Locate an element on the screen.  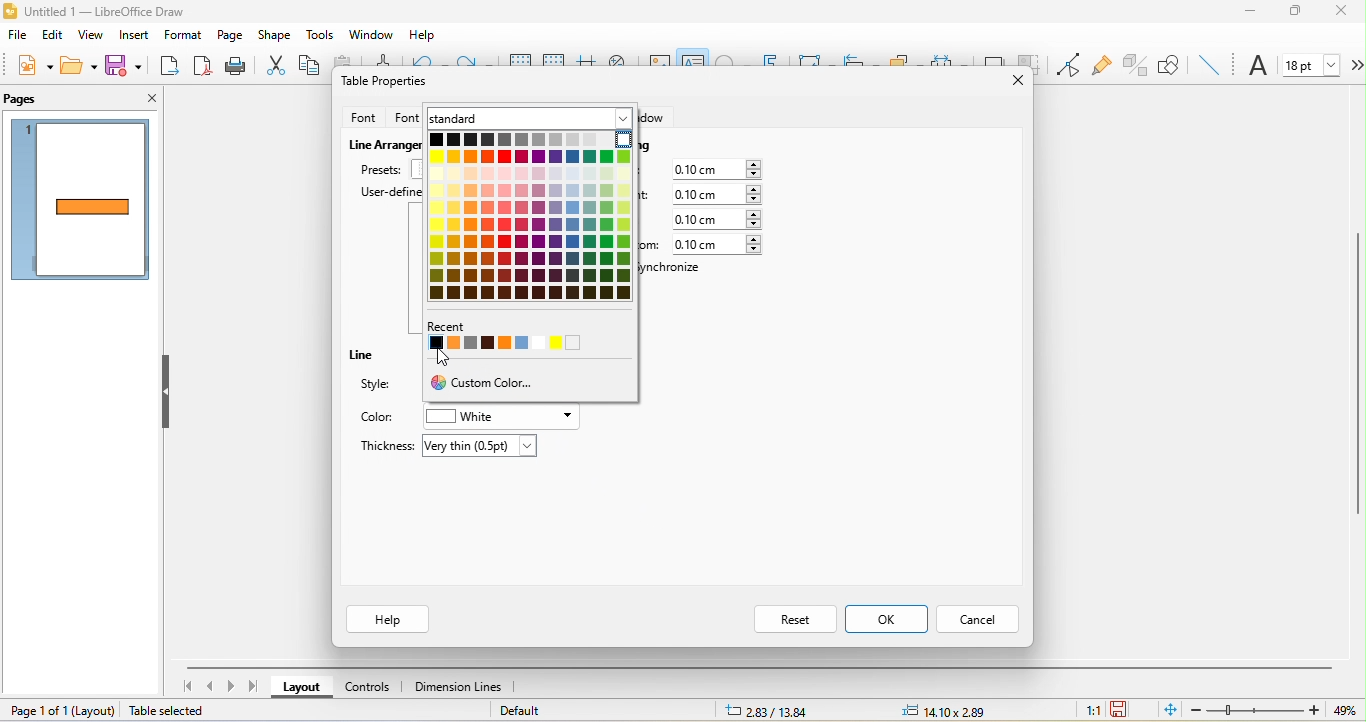
more options is located at coordinates (1357, 65).